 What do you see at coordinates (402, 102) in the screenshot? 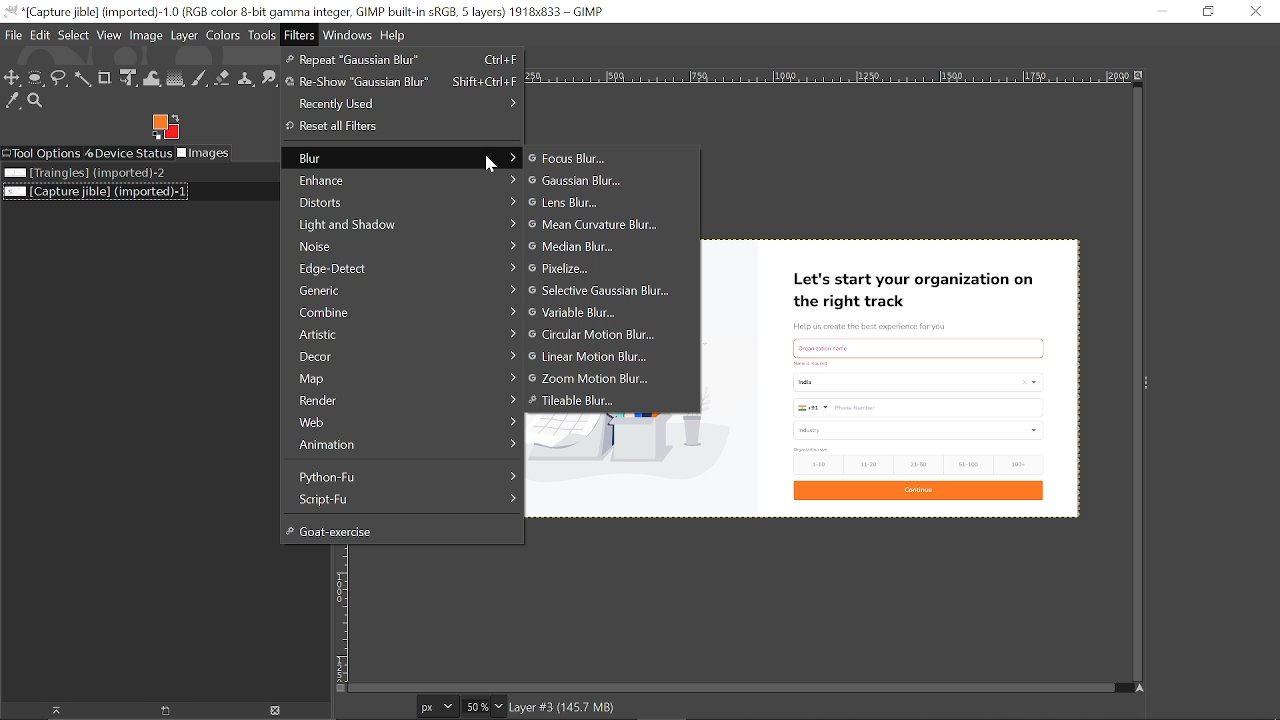
I see `Recently Used` at bounding box center [402, 102].